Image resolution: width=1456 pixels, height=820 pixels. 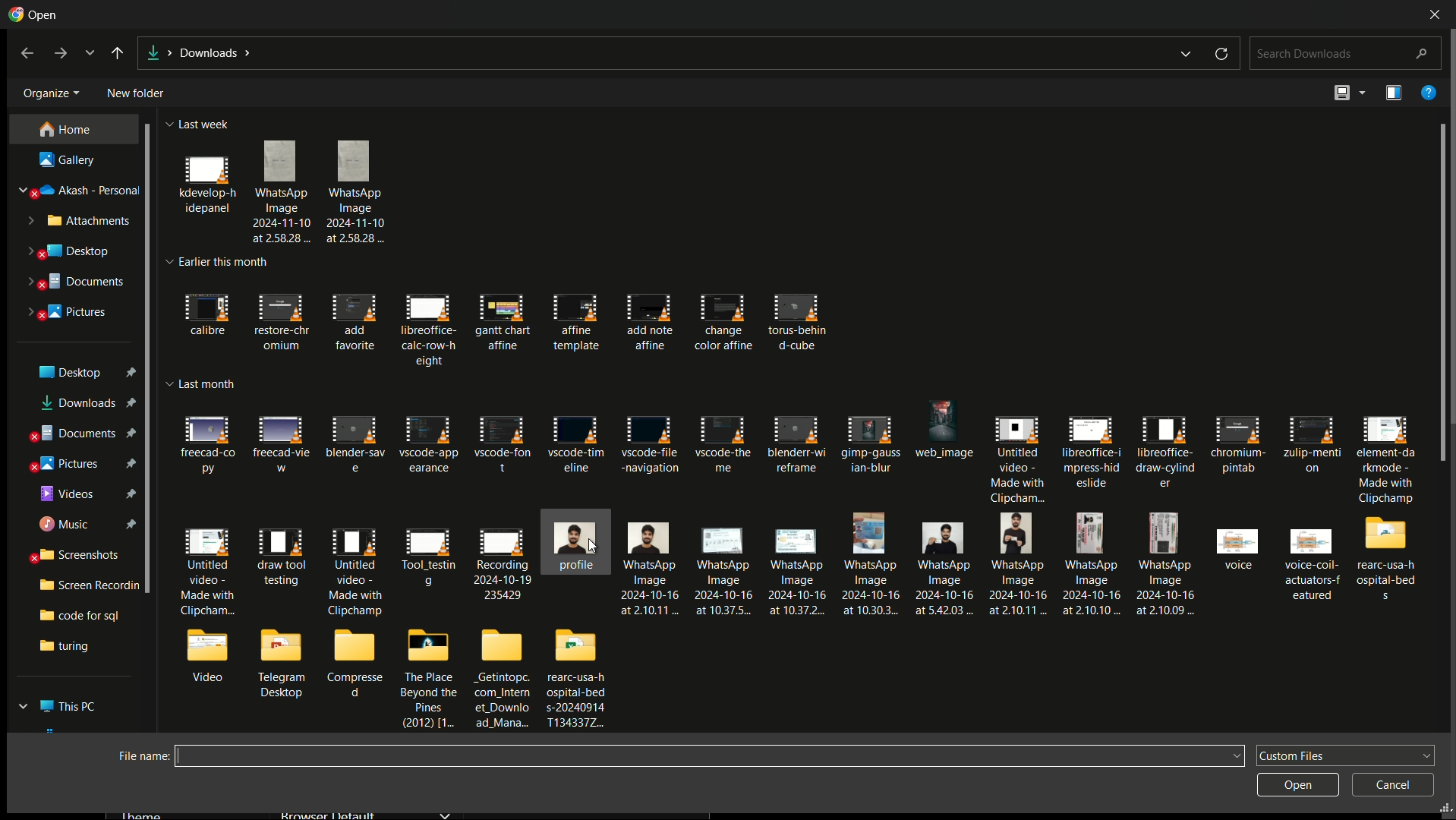 What do you see at coordinates (85, 374) in the screenshot?
I see `desktop` at bounding box center [85, 374].